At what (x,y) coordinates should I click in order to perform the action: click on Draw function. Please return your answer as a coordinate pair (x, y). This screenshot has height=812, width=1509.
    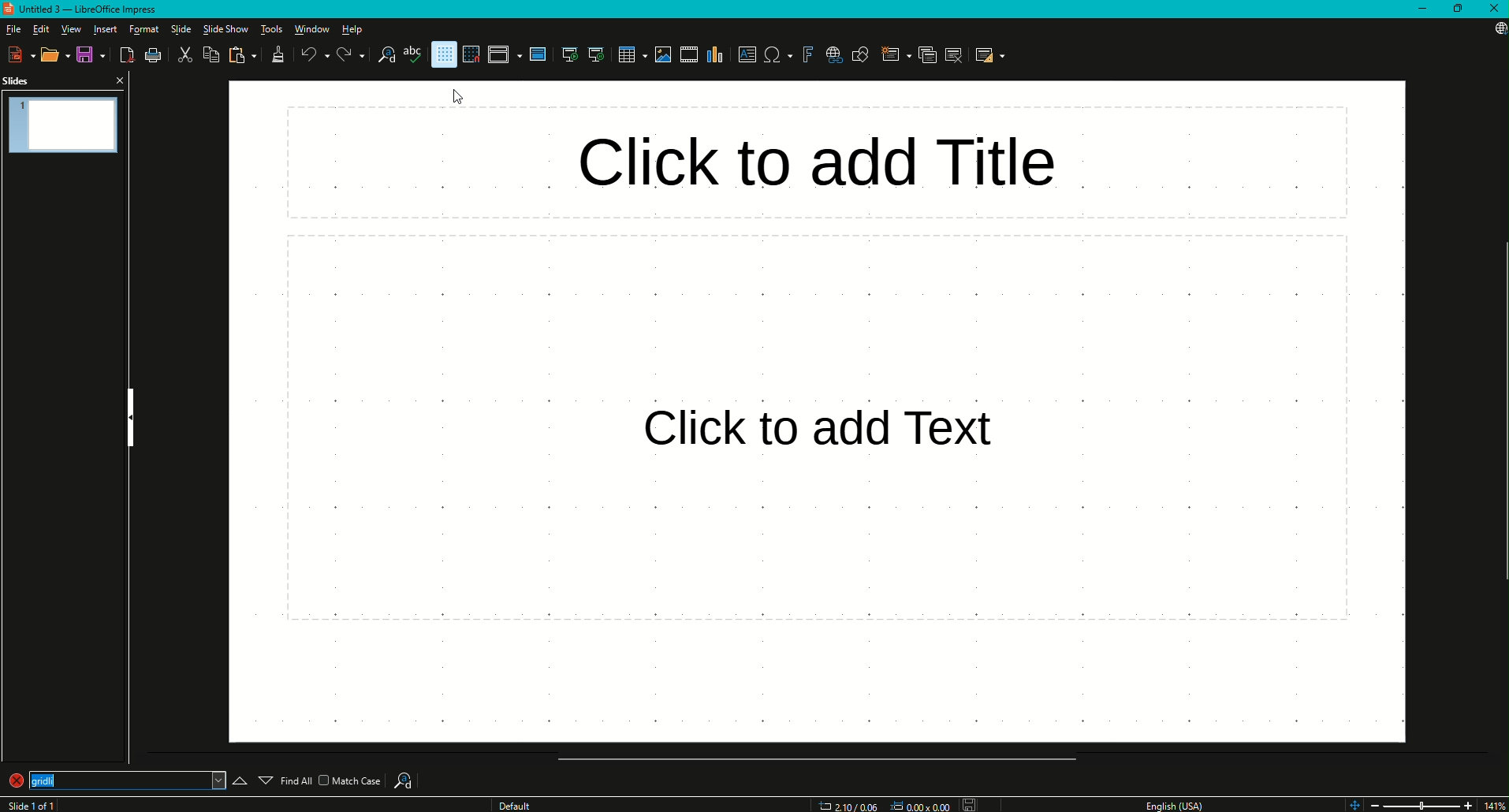
    Looking at the image, I should click on (863, 53).